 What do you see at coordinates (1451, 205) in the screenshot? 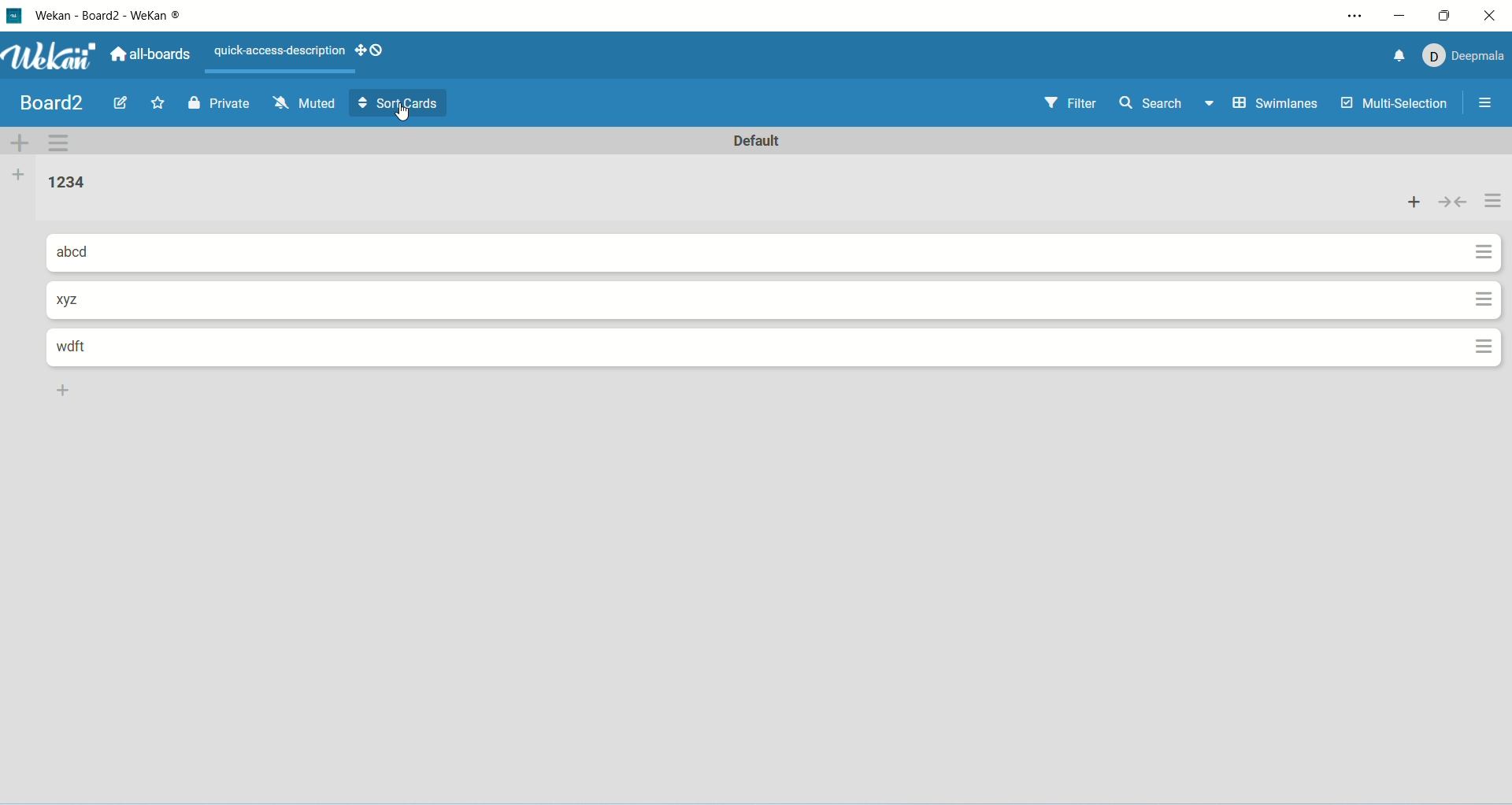
I see `collapse` at bounding box center [1451, 205].